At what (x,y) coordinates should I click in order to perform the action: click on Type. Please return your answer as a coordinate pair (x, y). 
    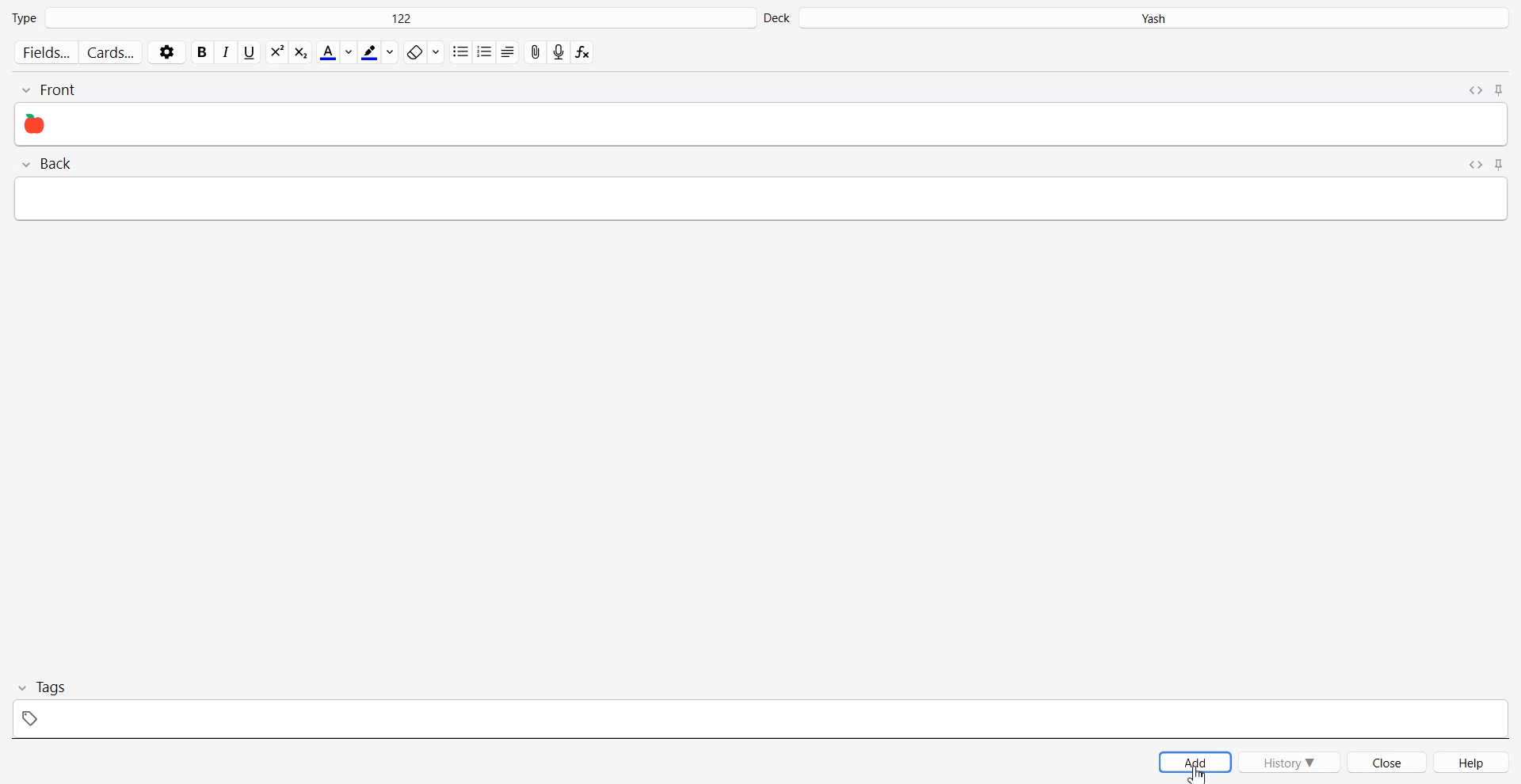
    Looking at the image, I should click on (381, 18).